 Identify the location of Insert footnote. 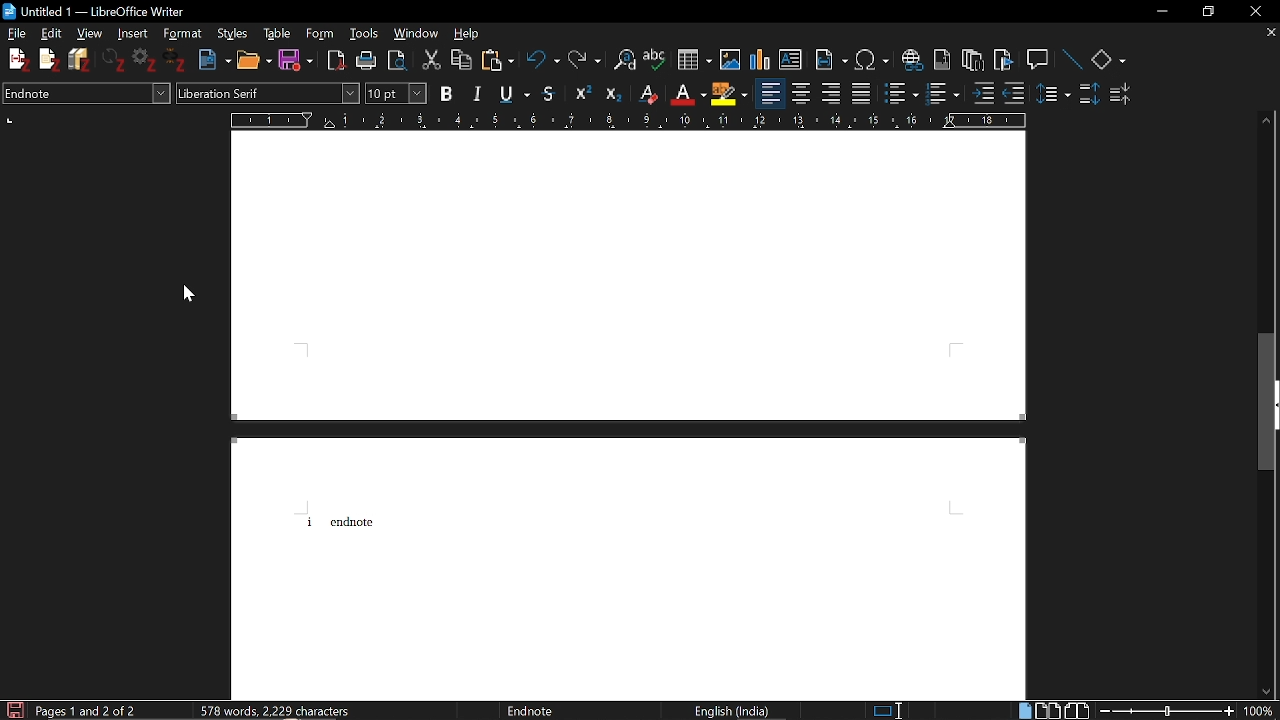
(943, 62).